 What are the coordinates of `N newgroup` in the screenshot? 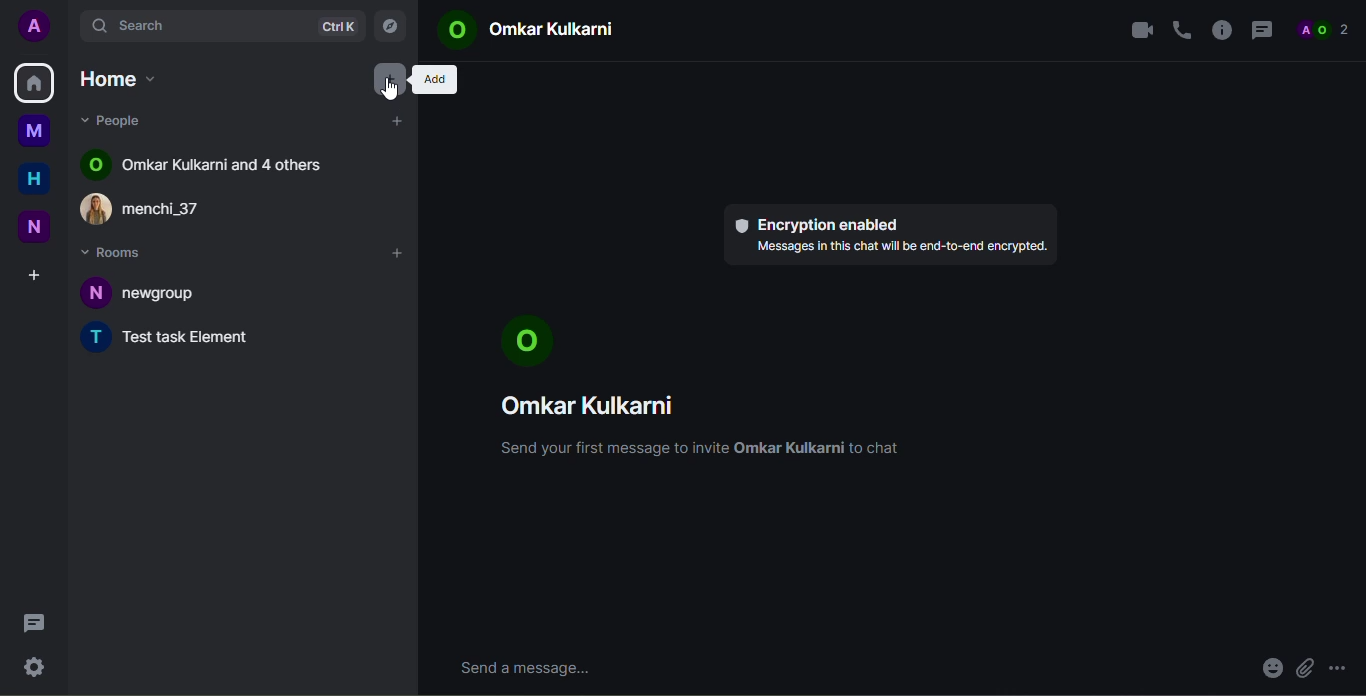 It's located at (149, 293).